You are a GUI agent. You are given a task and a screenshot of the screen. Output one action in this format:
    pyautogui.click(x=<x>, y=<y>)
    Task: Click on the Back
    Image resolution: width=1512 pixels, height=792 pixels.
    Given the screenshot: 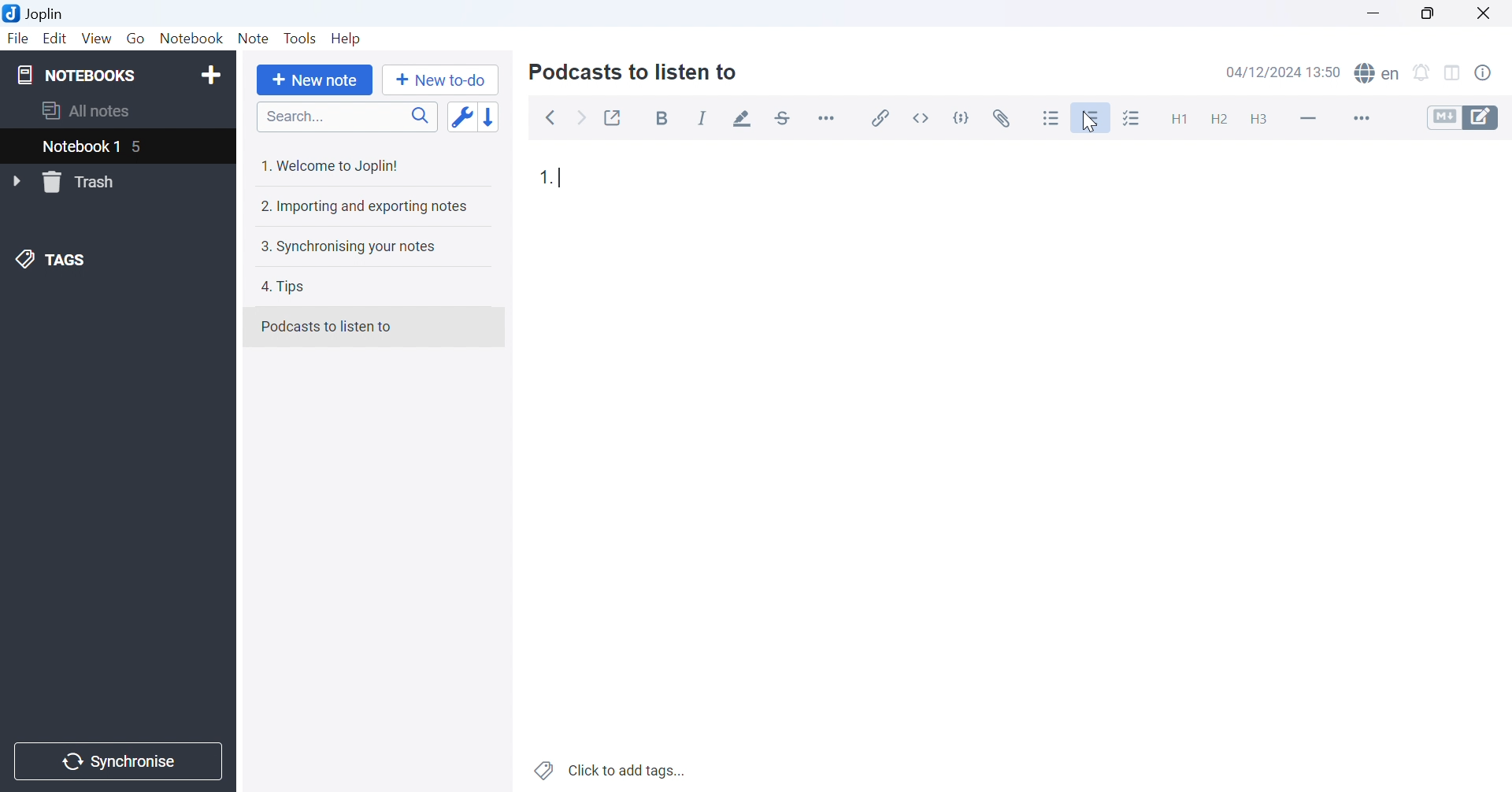 What is the action you would take?
    pyautogui.click(x=552, y=119)
    